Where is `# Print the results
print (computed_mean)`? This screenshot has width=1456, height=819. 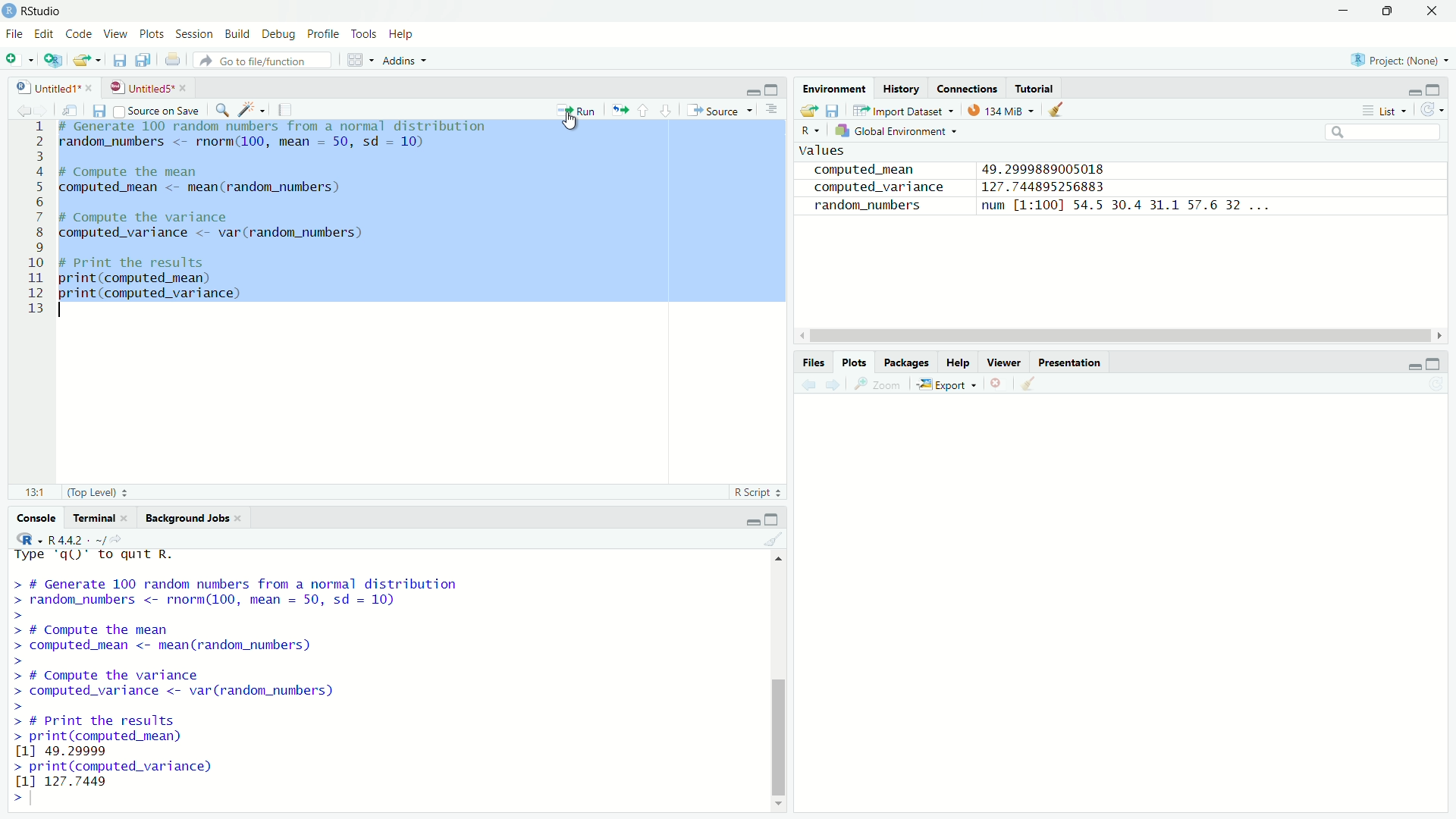
# Print the results
print (computed_mean) is located at coordinates (165, 722).